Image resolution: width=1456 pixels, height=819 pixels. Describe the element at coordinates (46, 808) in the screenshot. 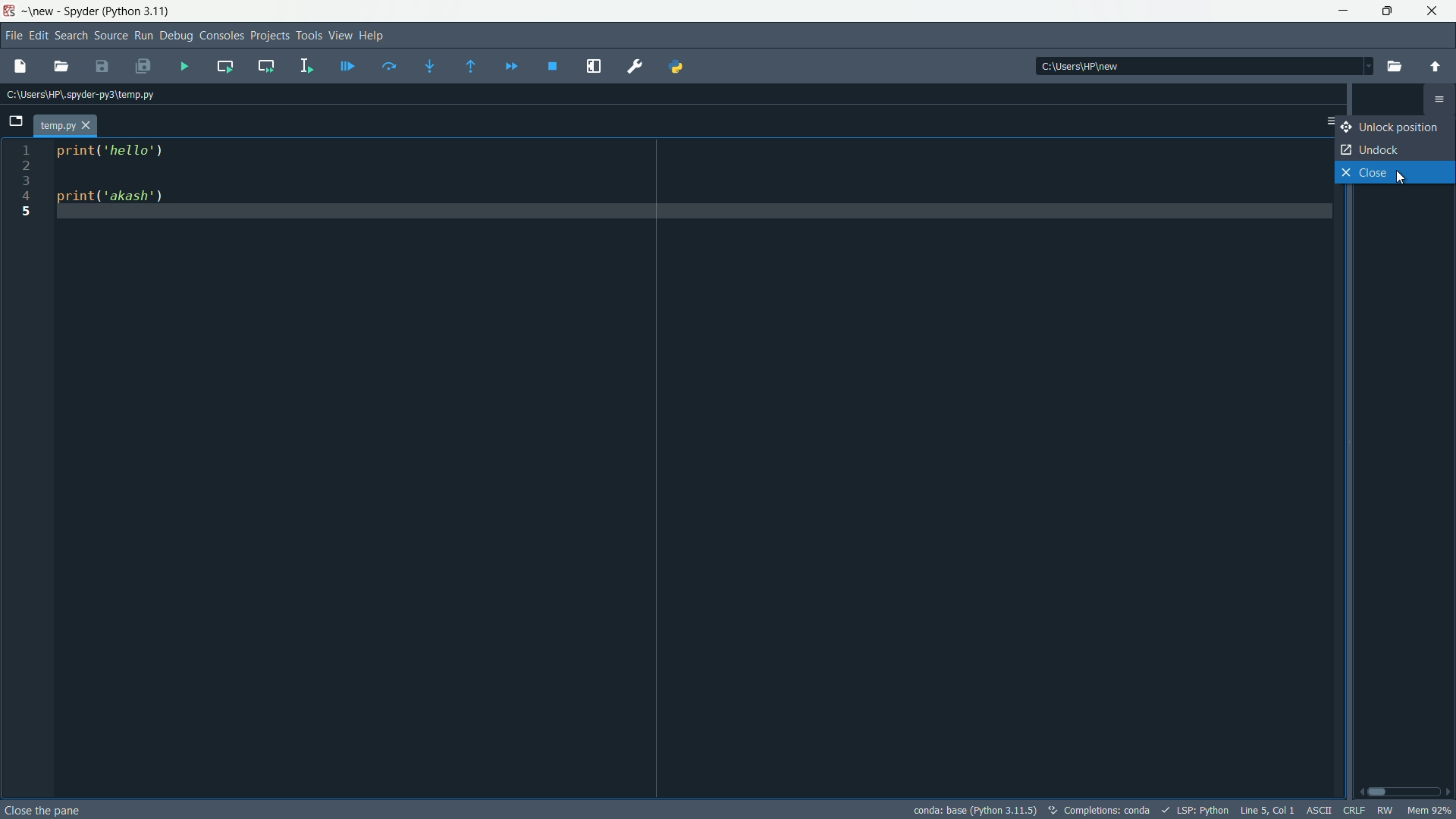

I see `Close the pane` at that location.